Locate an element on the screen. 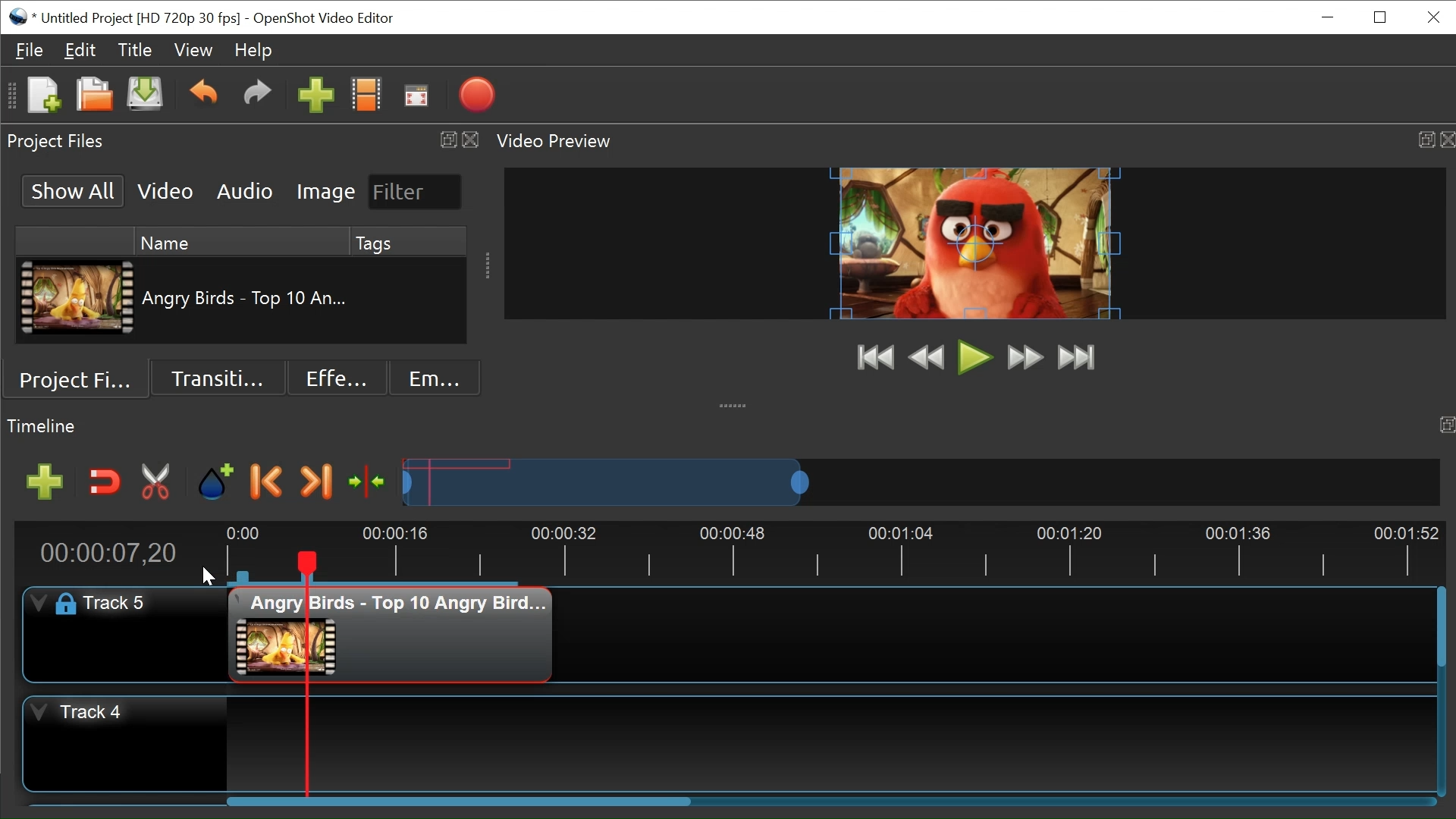 The image size is (1456, 819). Clip at Track is located at coordinates (391, 633).